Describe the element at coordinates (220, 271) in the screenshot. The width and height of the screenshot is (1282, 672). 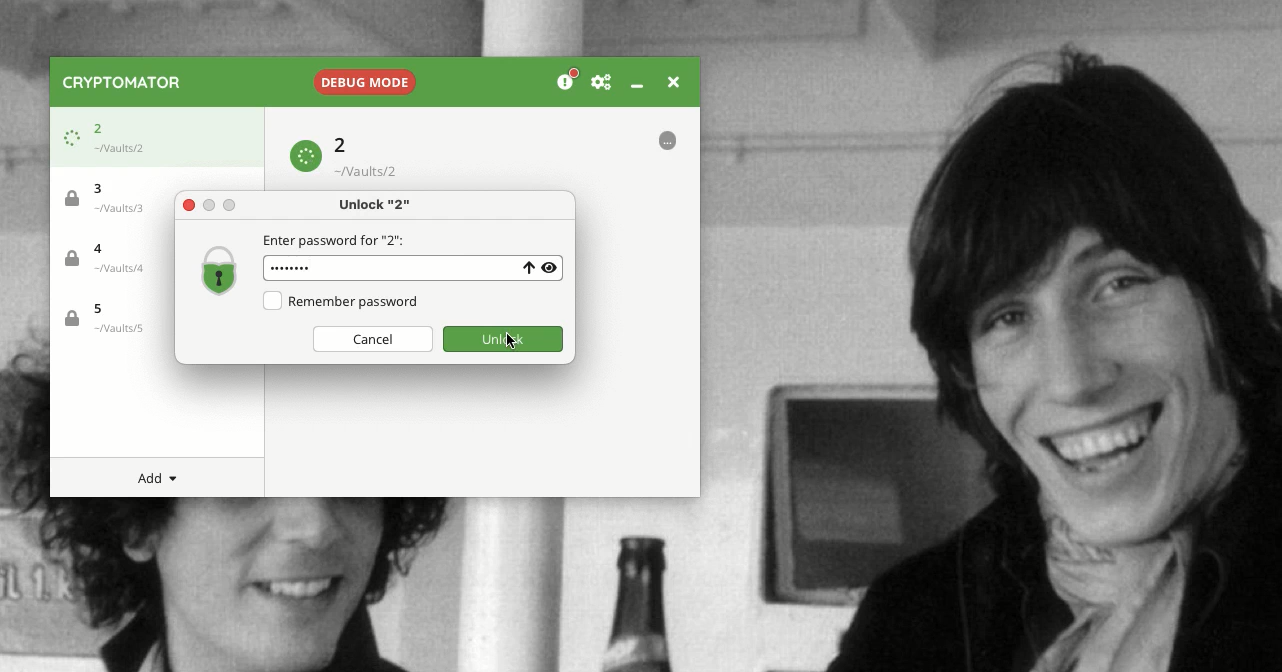
I see `Locked` at that location.